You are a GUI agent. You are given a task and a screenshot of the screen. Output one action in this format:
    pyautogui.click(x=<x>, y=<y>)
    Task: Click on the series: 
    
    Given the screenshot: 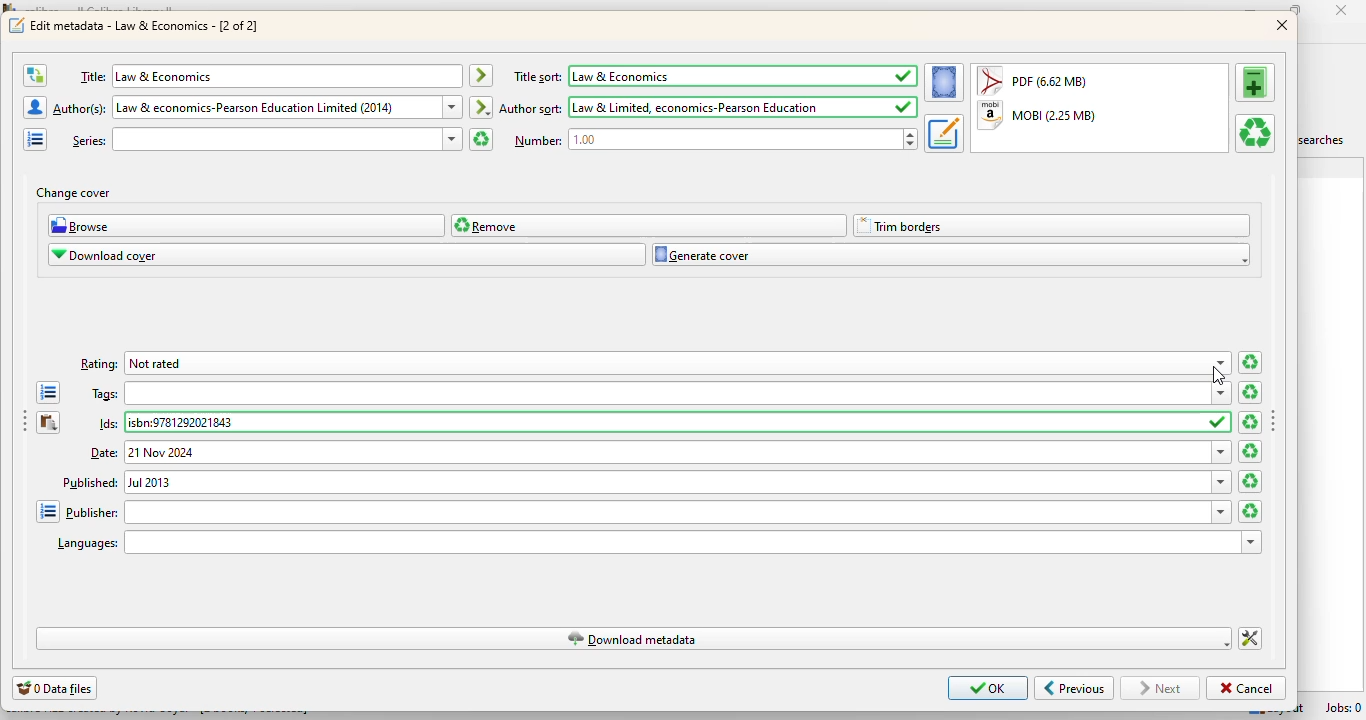 What is the action you would take?
    pyautogui.click(x=266, y=139)
    